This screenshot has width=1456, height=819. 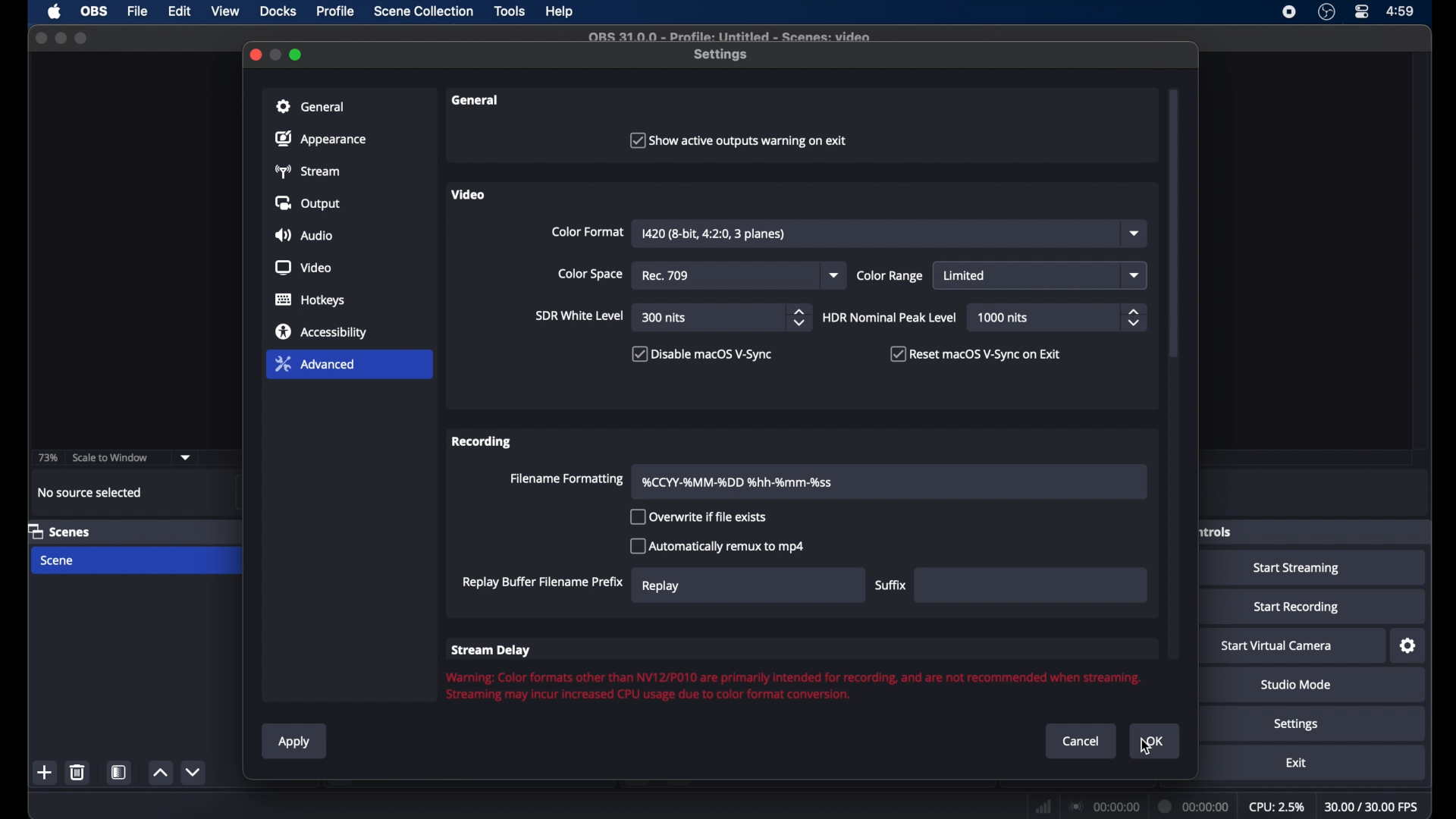 I want to click on stepper buttons, so click(x=1134, y=317).